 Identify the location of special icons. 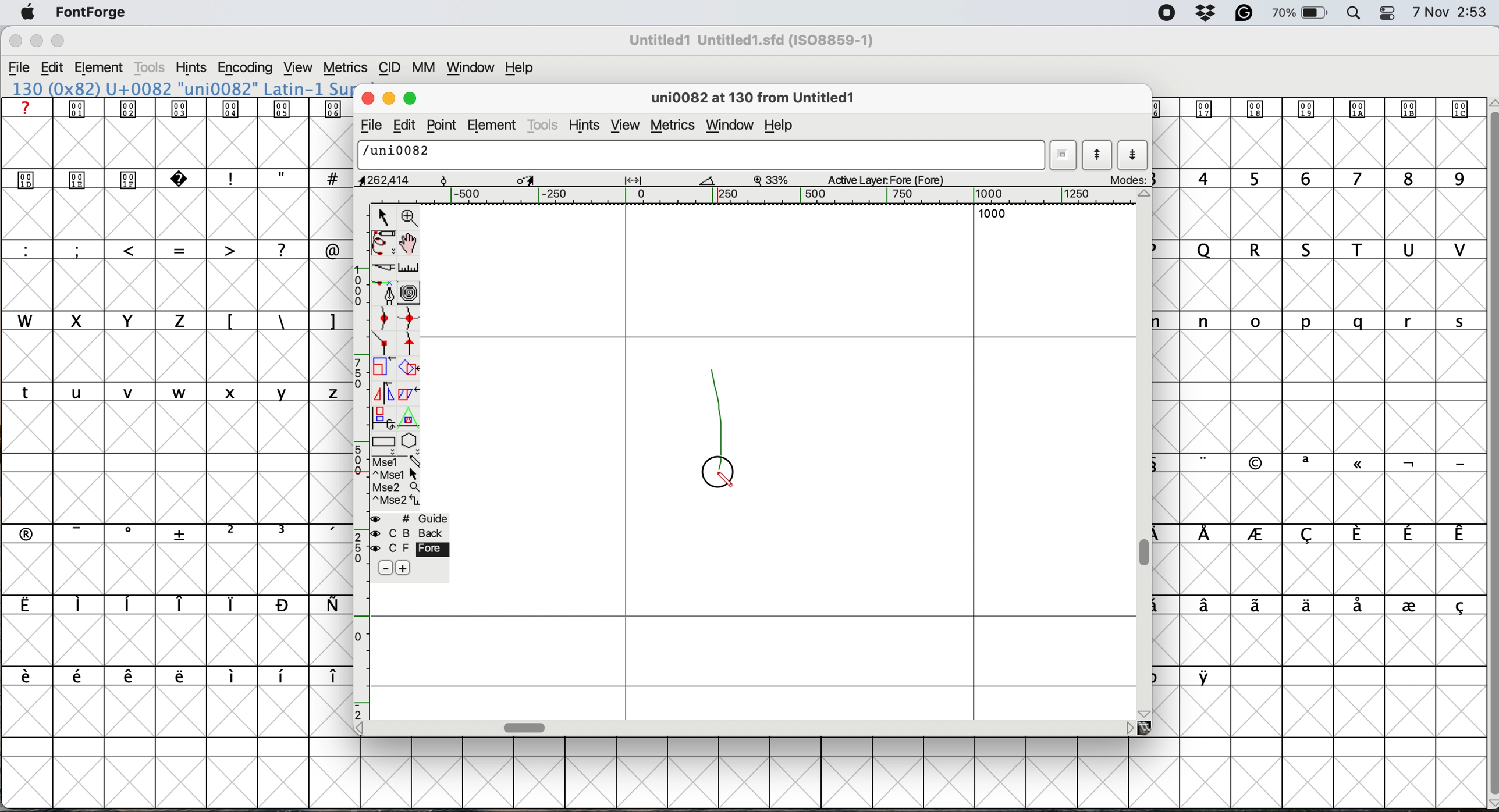
(177, 108).